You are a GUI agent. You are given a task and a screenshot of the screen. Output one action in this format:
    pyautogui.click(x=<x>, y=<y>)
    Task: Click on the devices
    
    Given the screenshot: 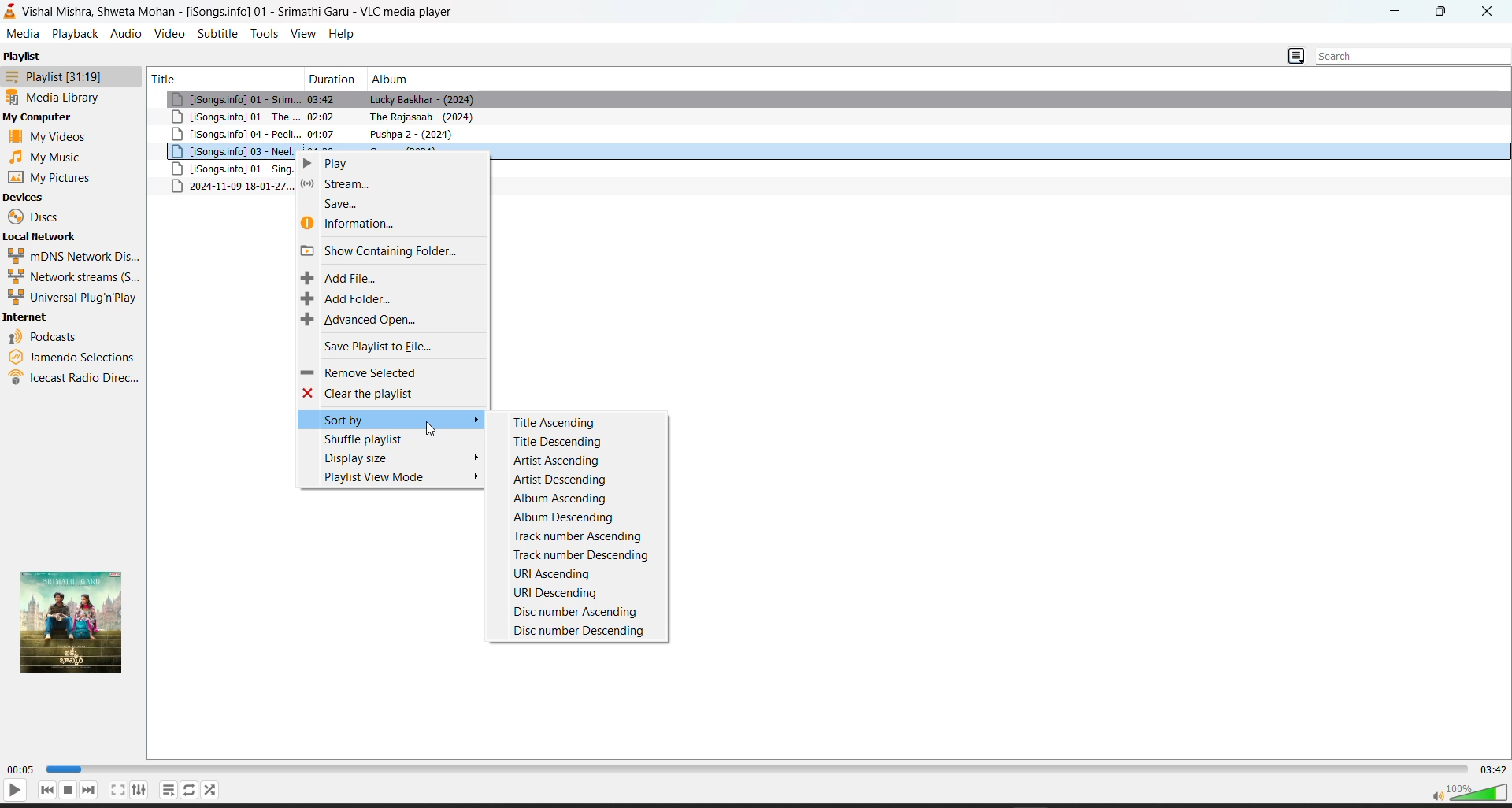 What is the action you would take?
    pyautogui.click(x=25, y=198)
    